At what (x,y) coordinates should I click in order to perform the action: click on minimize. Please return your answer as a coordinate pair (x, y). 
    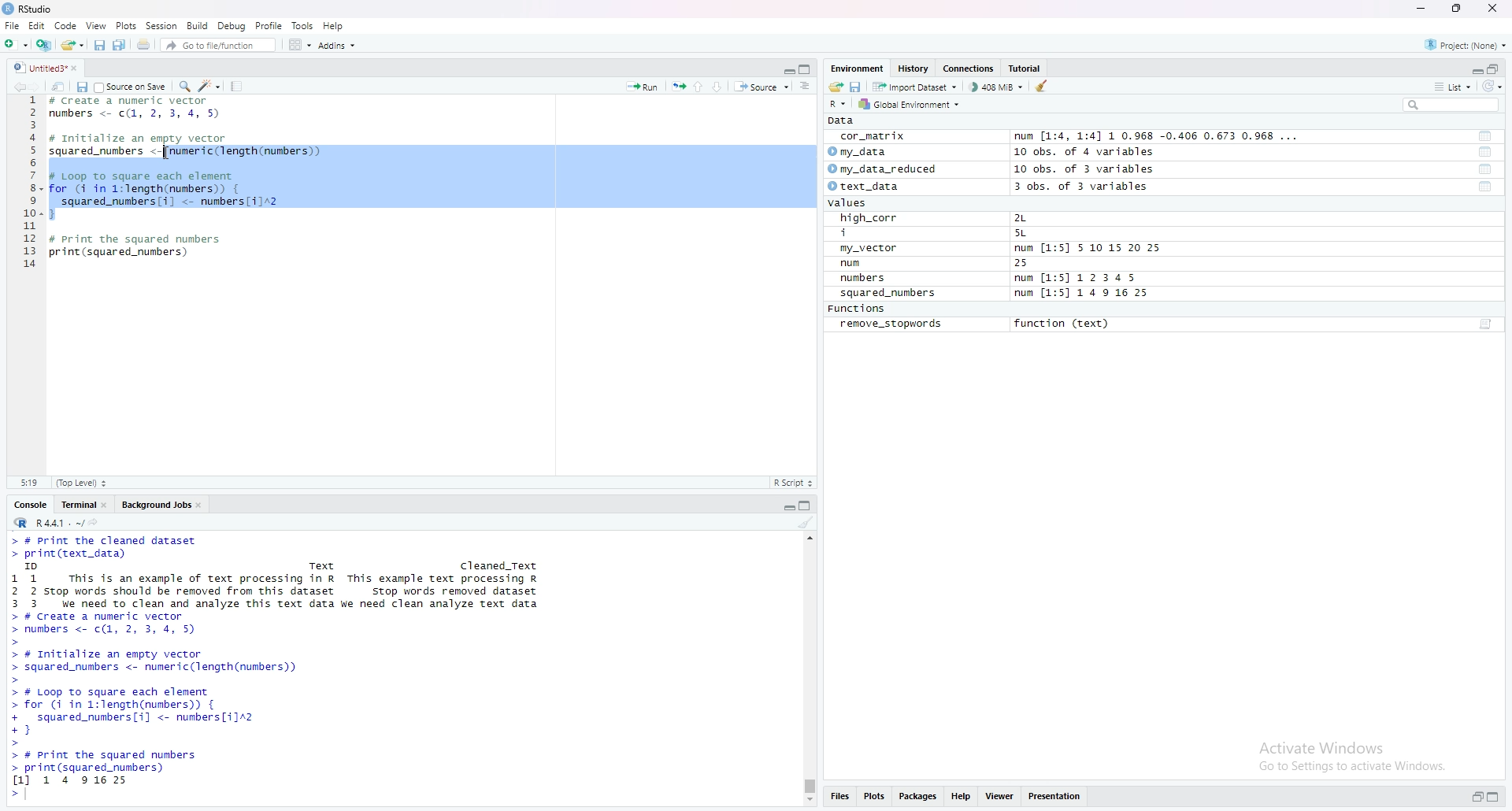
    Looking at the image, I should click on (1420, 9).